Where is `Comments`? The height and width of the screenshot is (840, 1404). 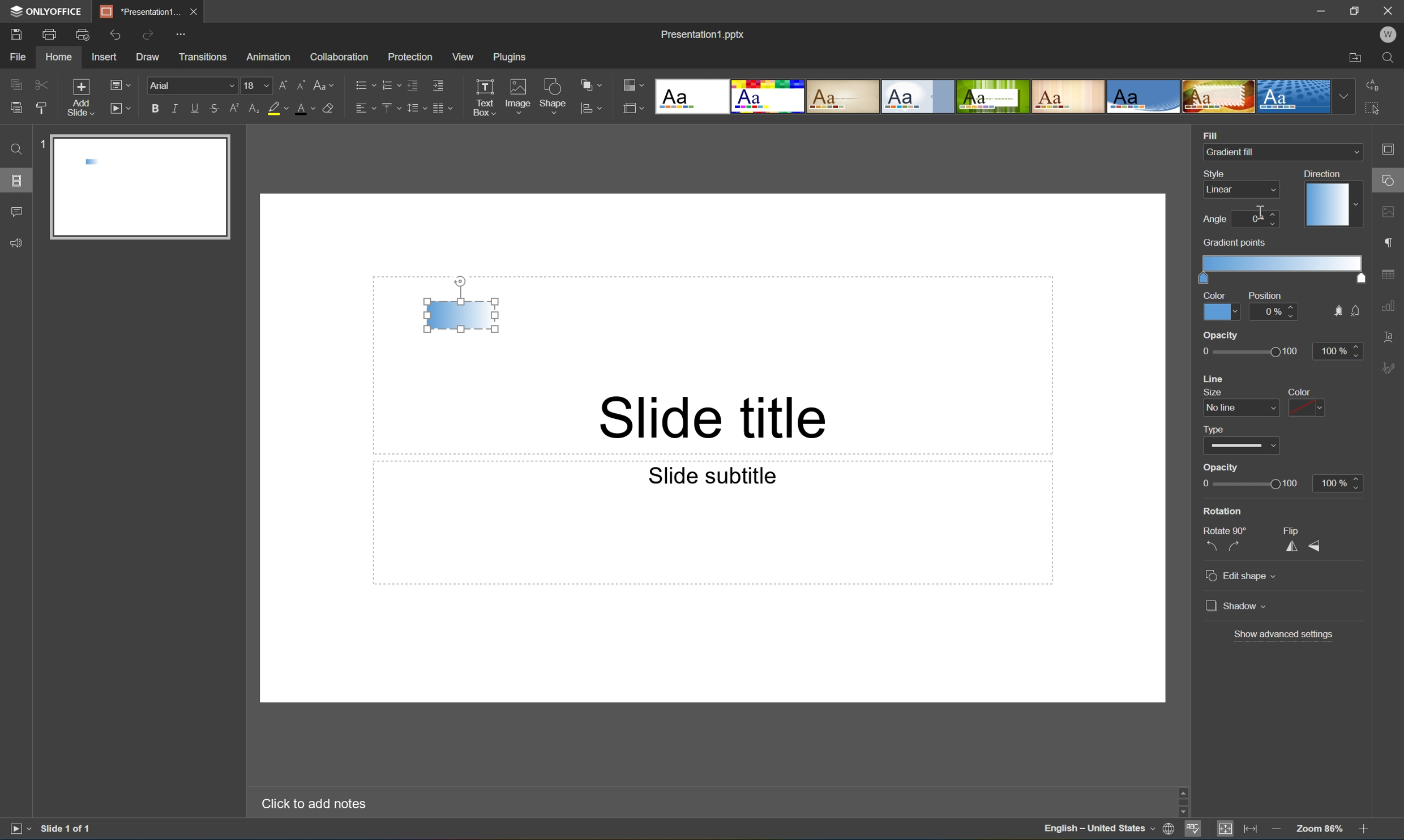
Comments is located at coordinates (16, 212).